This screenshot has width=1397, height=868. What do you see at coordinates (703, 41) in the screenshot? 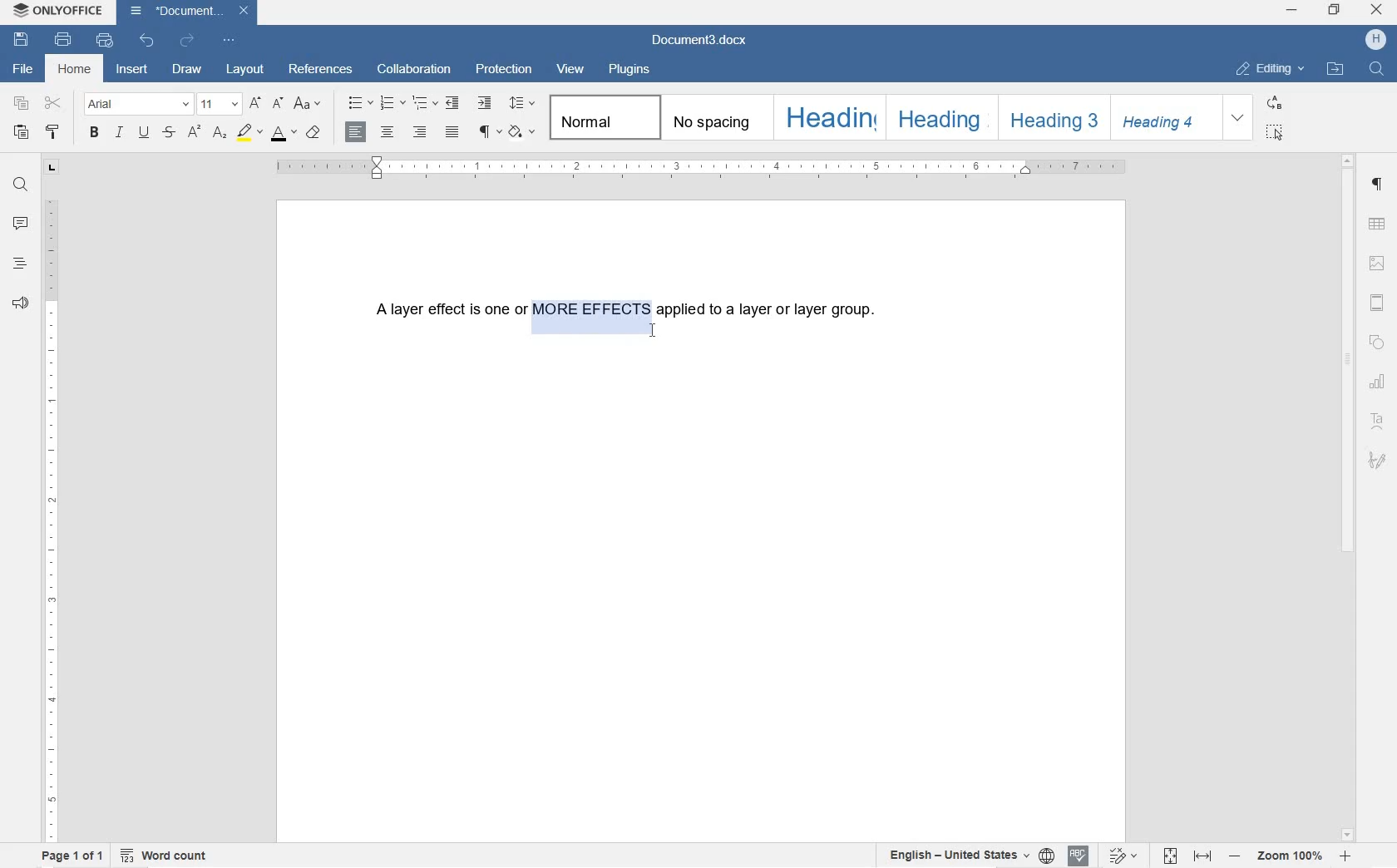
I see `document3.docx` at bounding box center [703, 41].